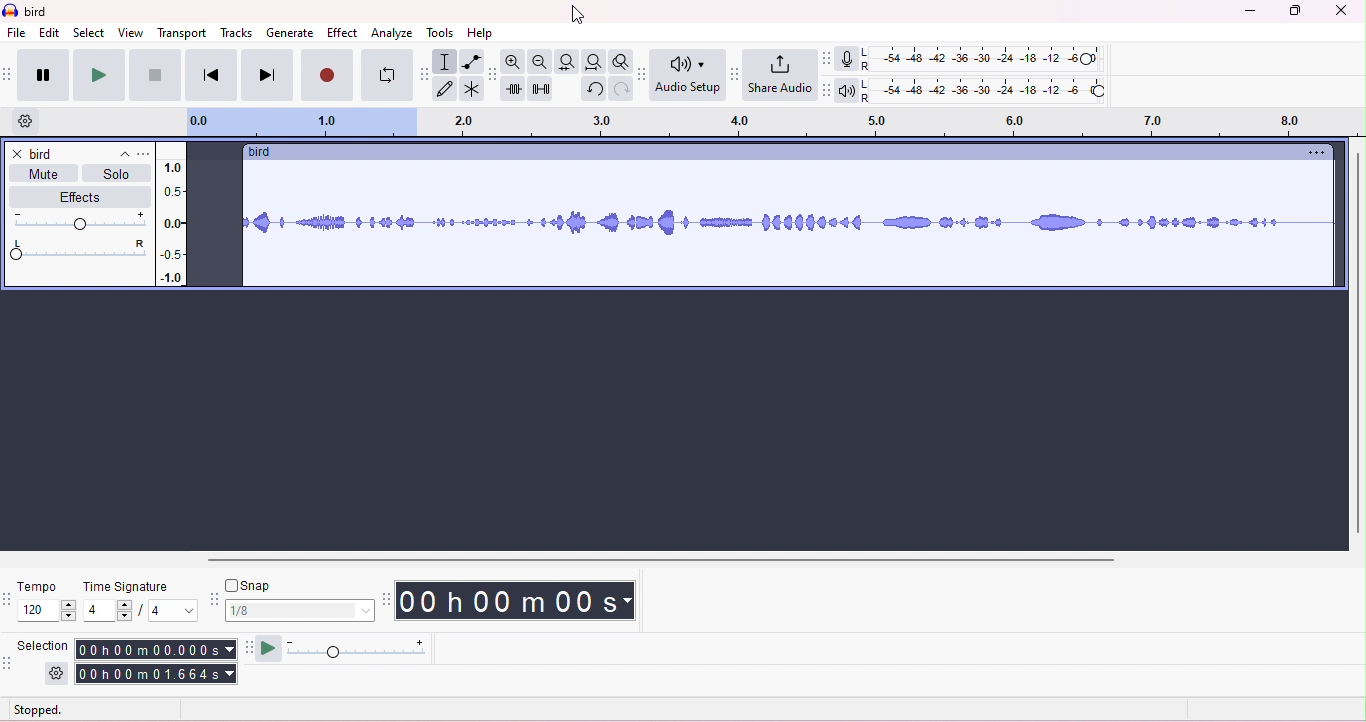 This screenshot has height=722, width=1366. Describe the element at coordinates (644, 72) in the screenshot. I see `audio set up tool bar` at that location.